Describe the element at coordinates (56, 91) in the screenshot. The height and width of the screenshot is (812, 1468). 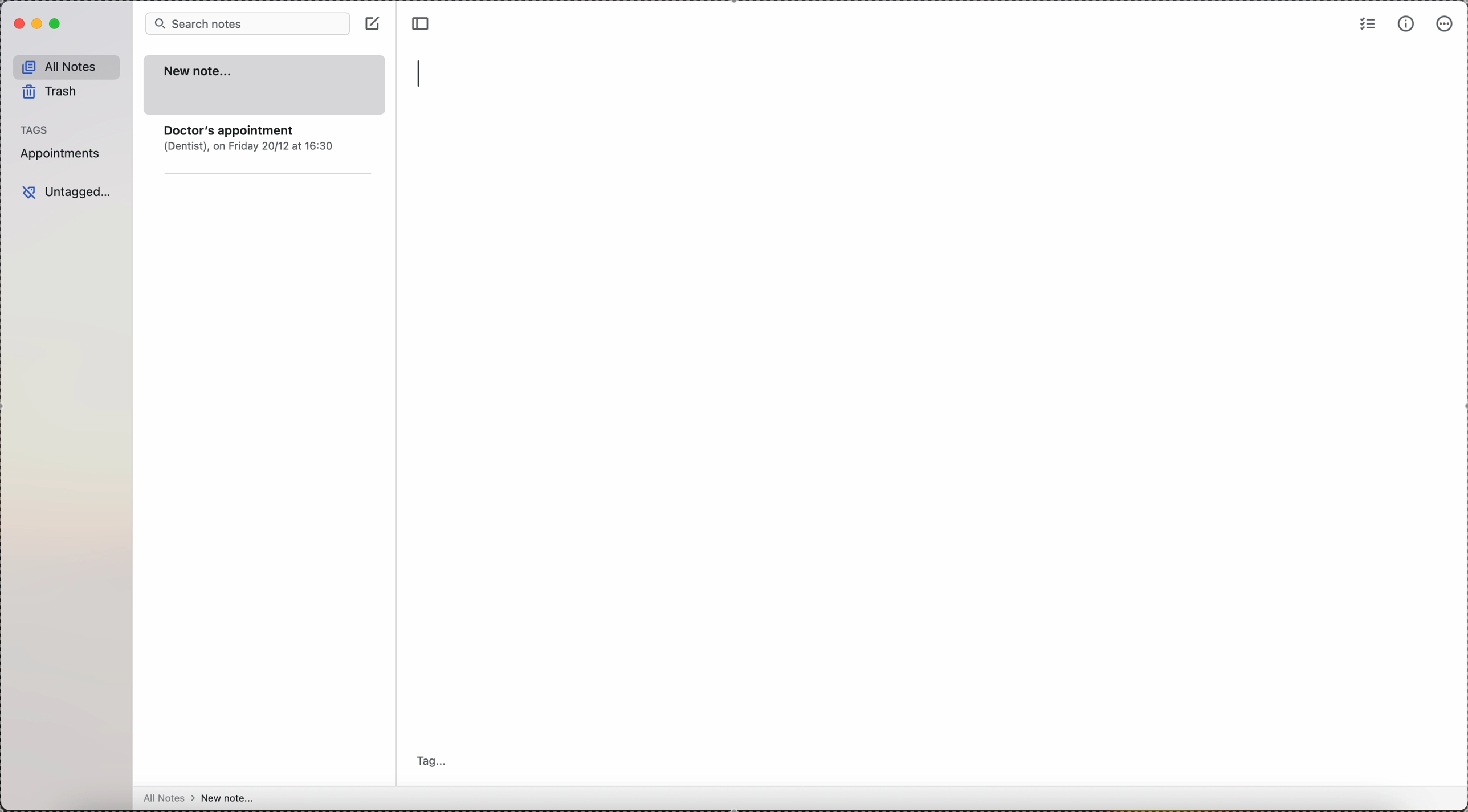
I see `trash` at that location.